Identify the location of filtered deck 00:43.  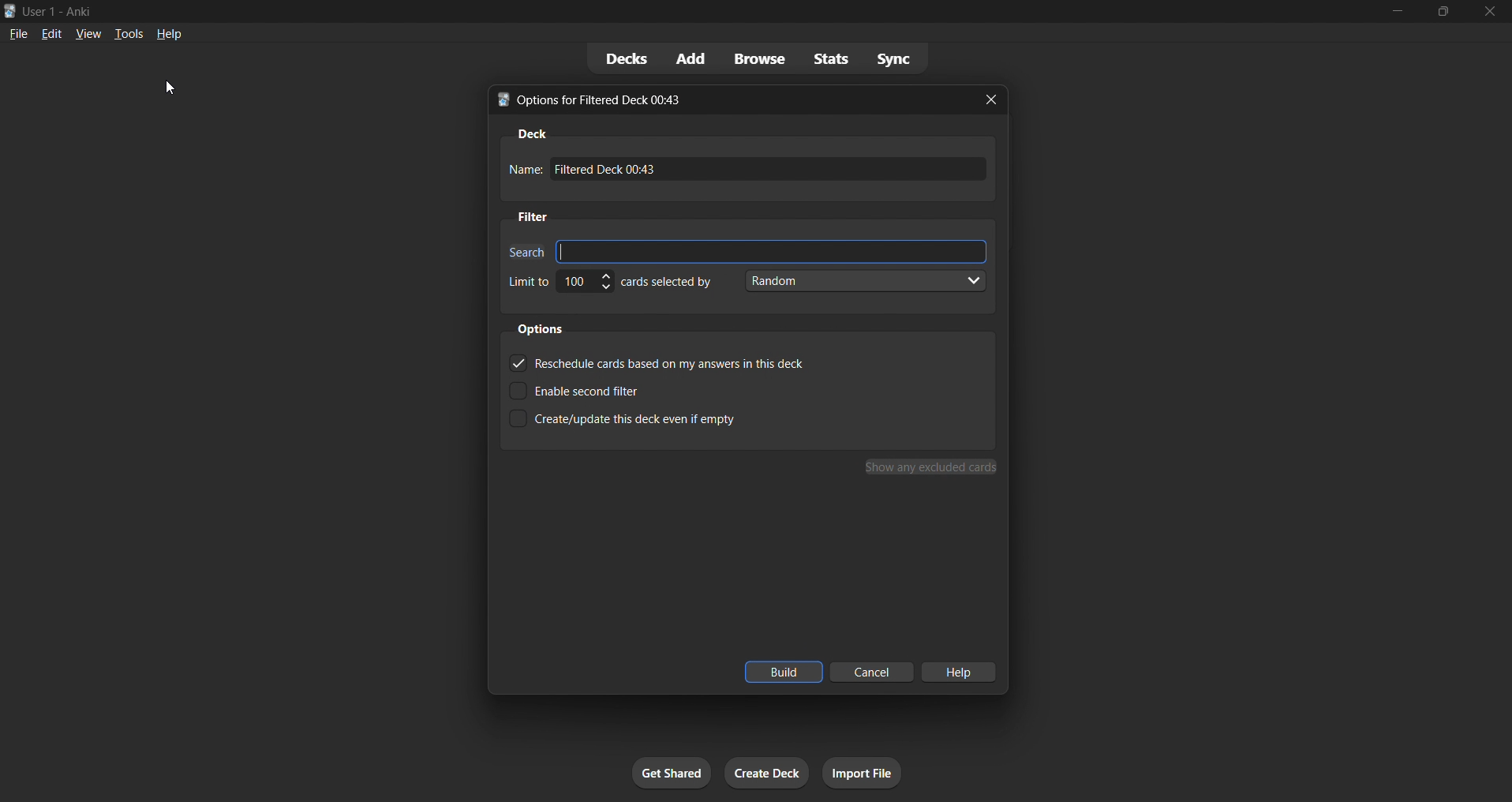
(774, 172).